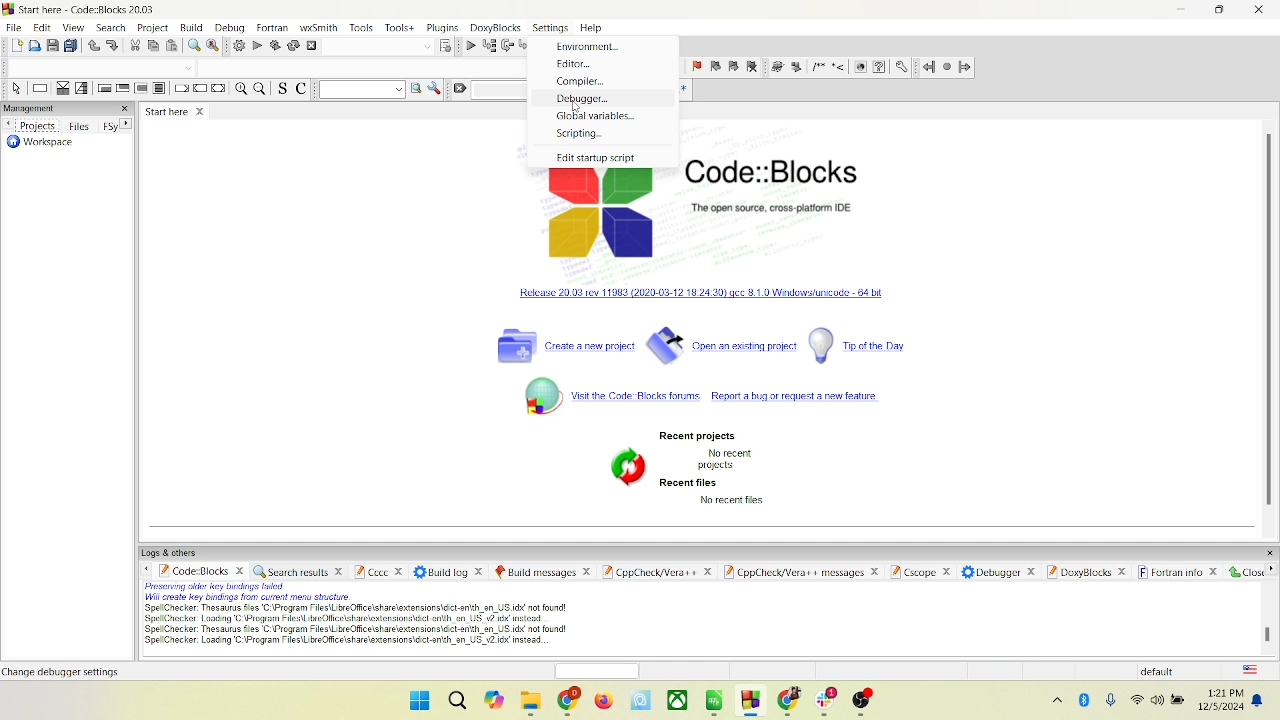 This screenshot has width=1280, height=720. What do you see at coordinates (1262, 699) in the screenshot?
I see `notification` at bounding box center [1262, 699].